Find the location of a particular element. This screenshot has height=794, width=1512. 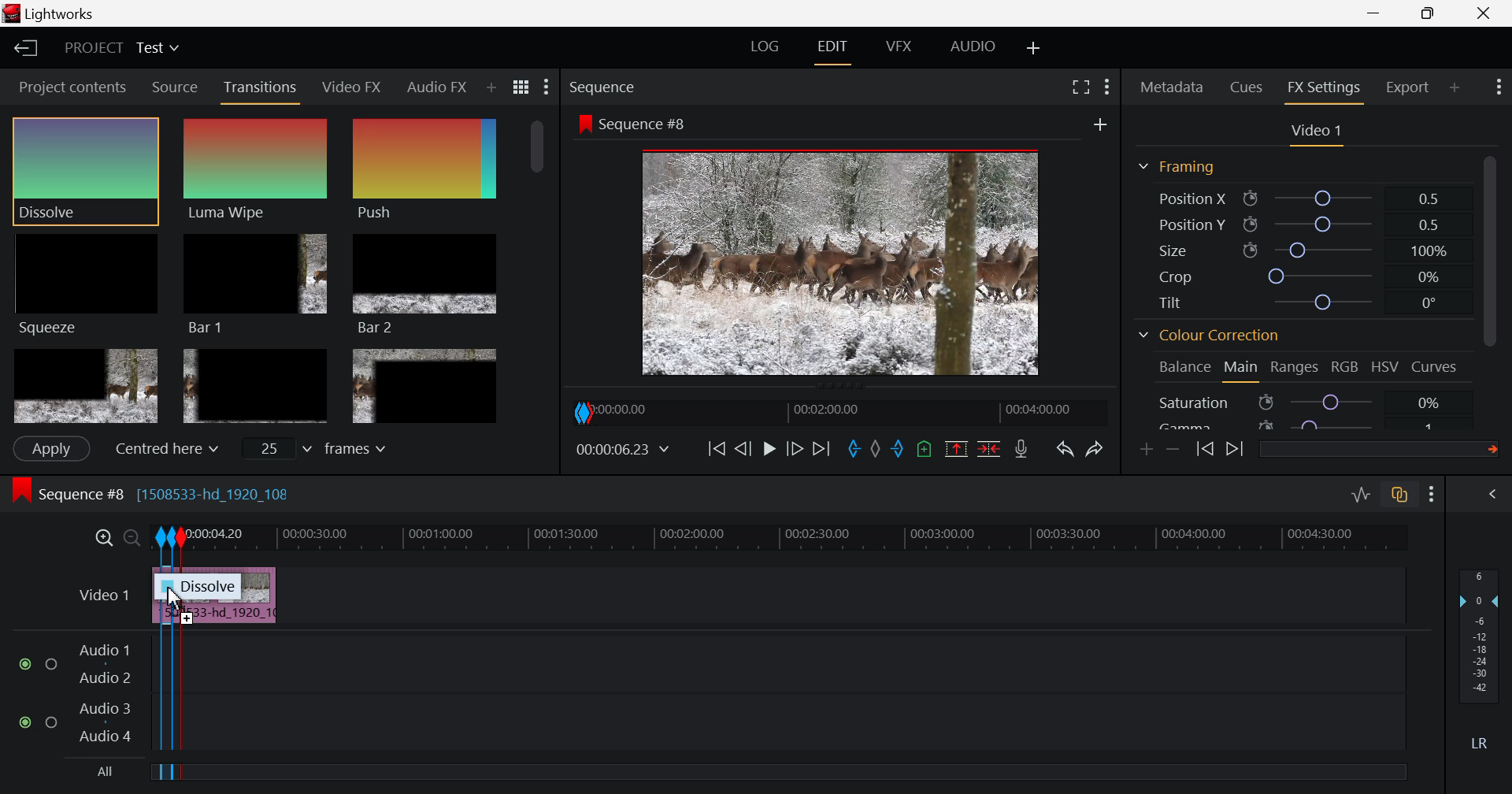

Position X is located at coordinates (1303, 198).